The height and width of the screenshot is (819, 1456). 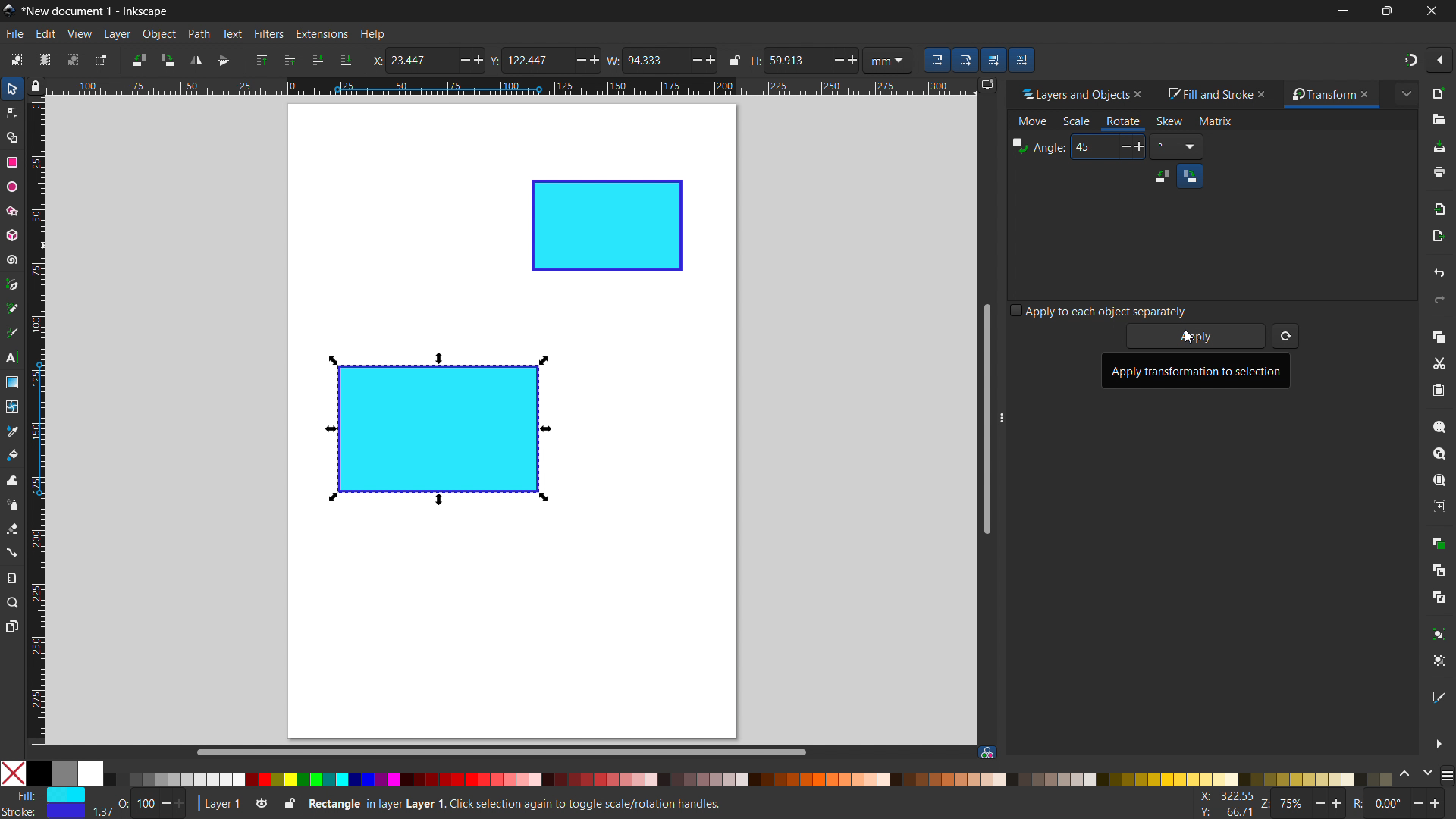 What do you see at coordinates (1441, 661) in the screenshot?
I see `ungroup` at bounding box center [1441, 661].